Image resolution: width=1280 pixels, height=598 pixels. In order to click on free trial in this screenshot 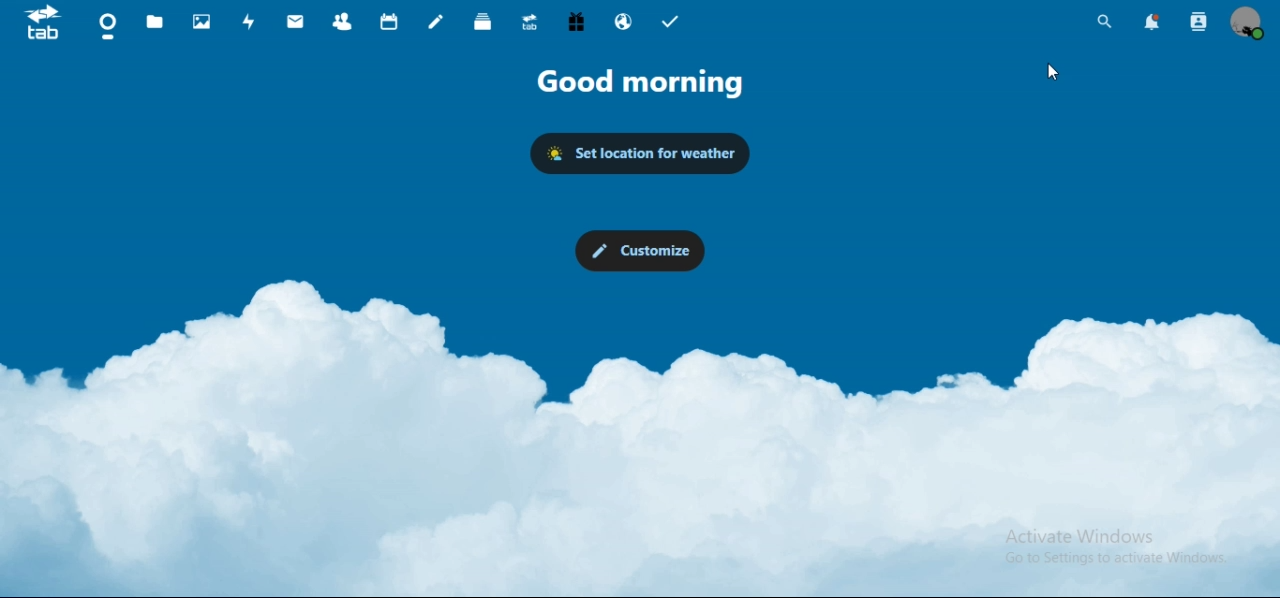, I will do `click(578, 22)`.